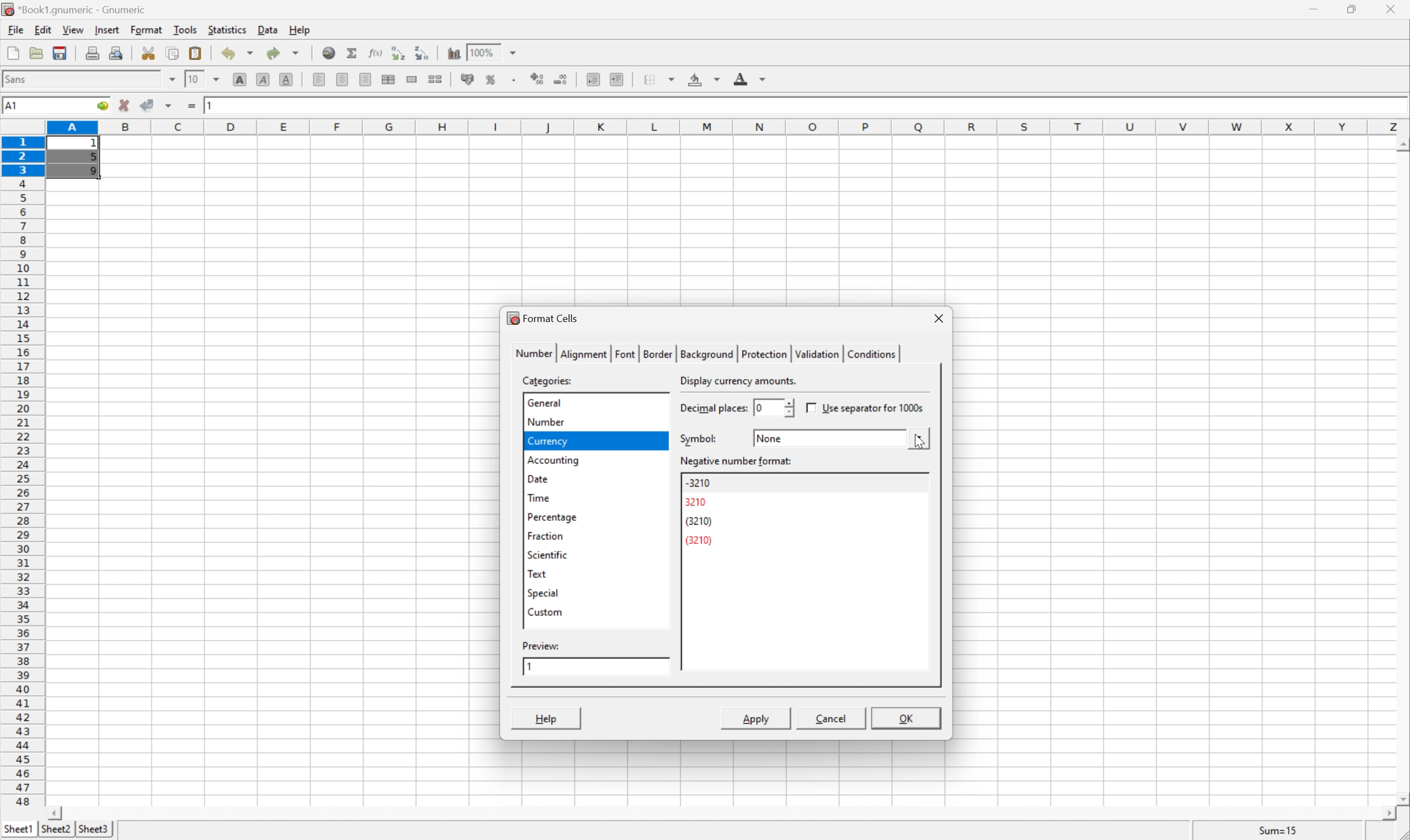 This screenshot has height=840, width=1410. What do you see at coordinates (106, 28) in the screenshot?
I see `insert` at bounding box center [106, 28].